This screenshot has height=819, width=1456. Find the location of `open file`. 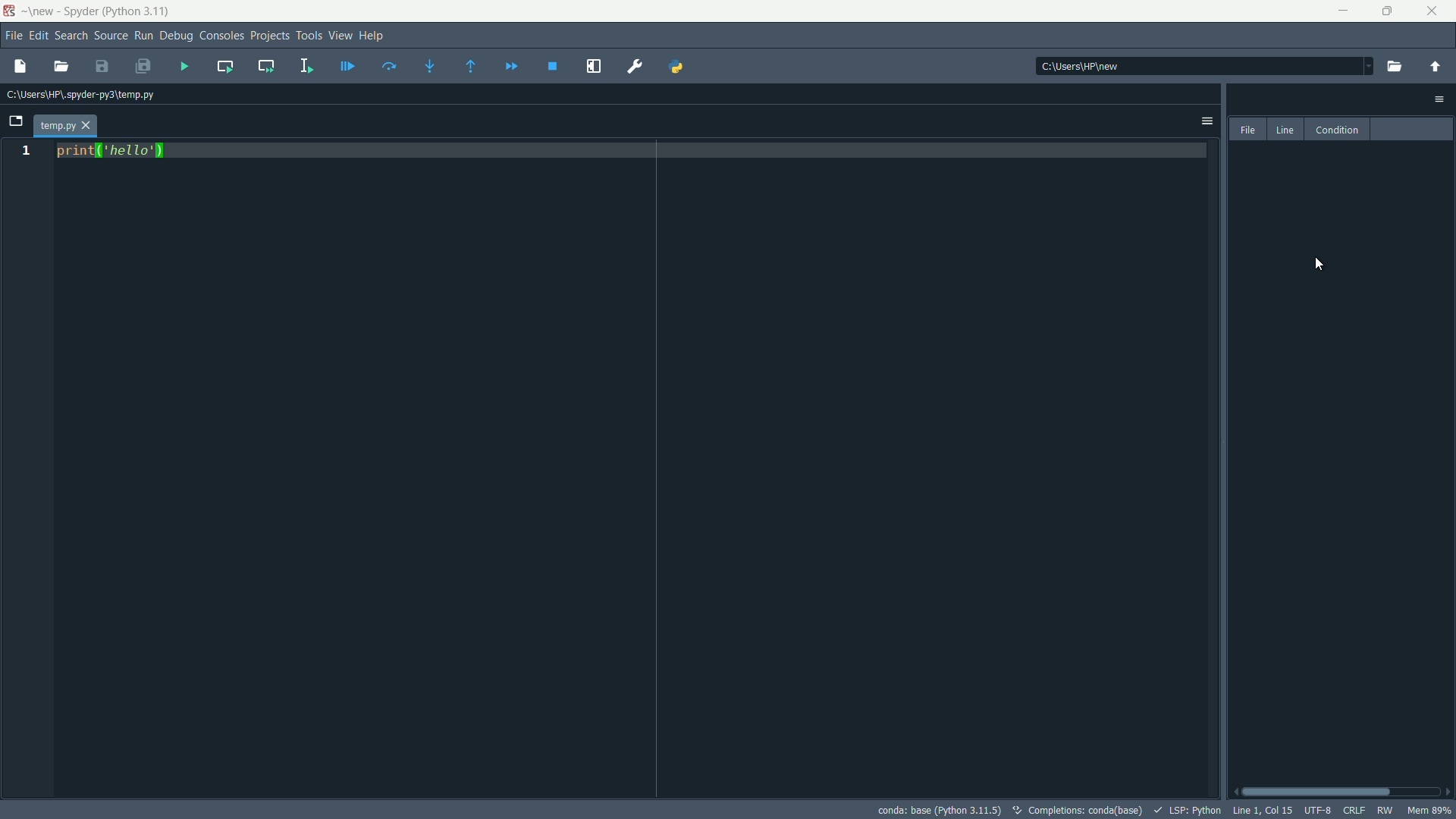

open file is located at coordinates (61, 67).